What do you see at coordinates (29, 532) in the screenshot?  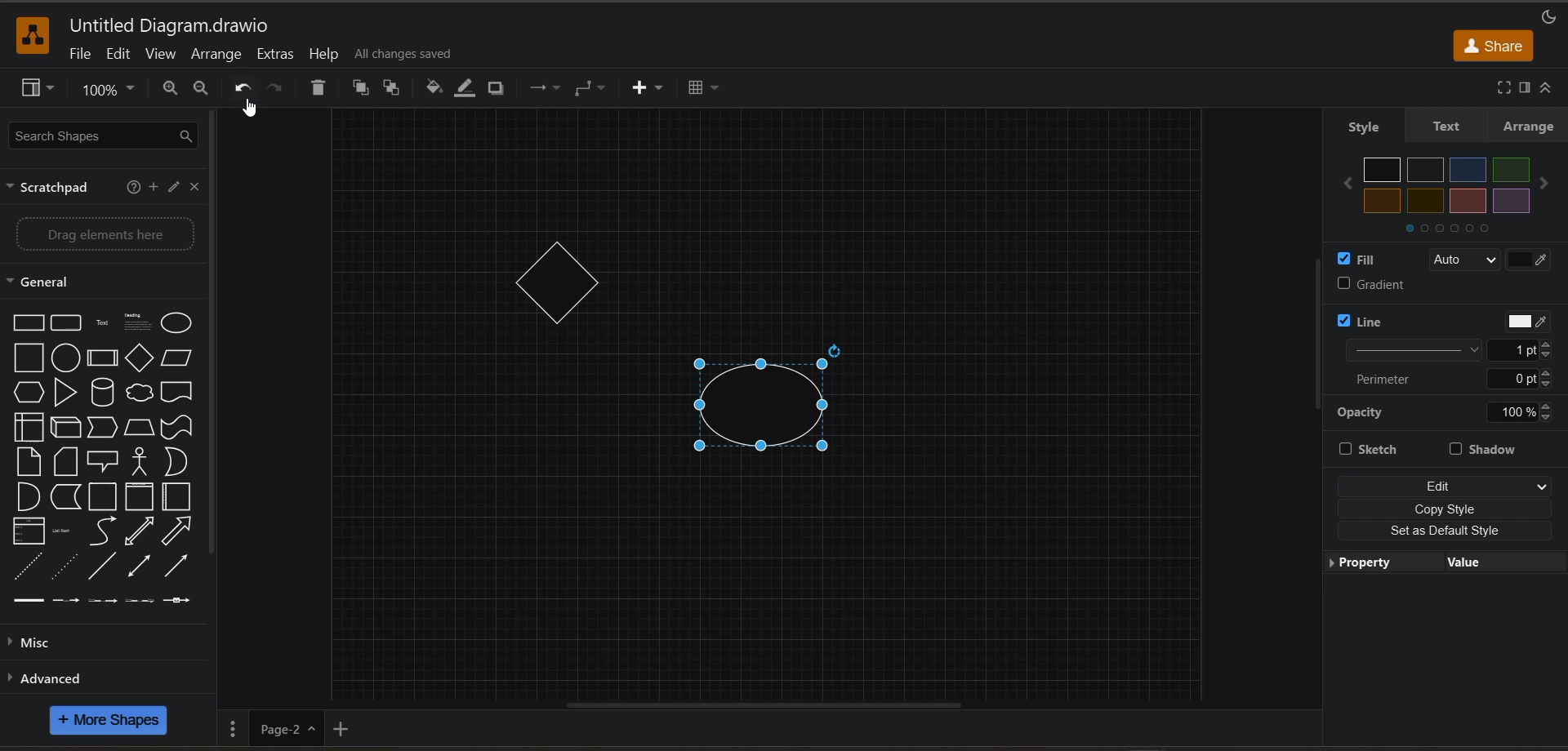 I see `Item List` at bounding box center [29, 532].